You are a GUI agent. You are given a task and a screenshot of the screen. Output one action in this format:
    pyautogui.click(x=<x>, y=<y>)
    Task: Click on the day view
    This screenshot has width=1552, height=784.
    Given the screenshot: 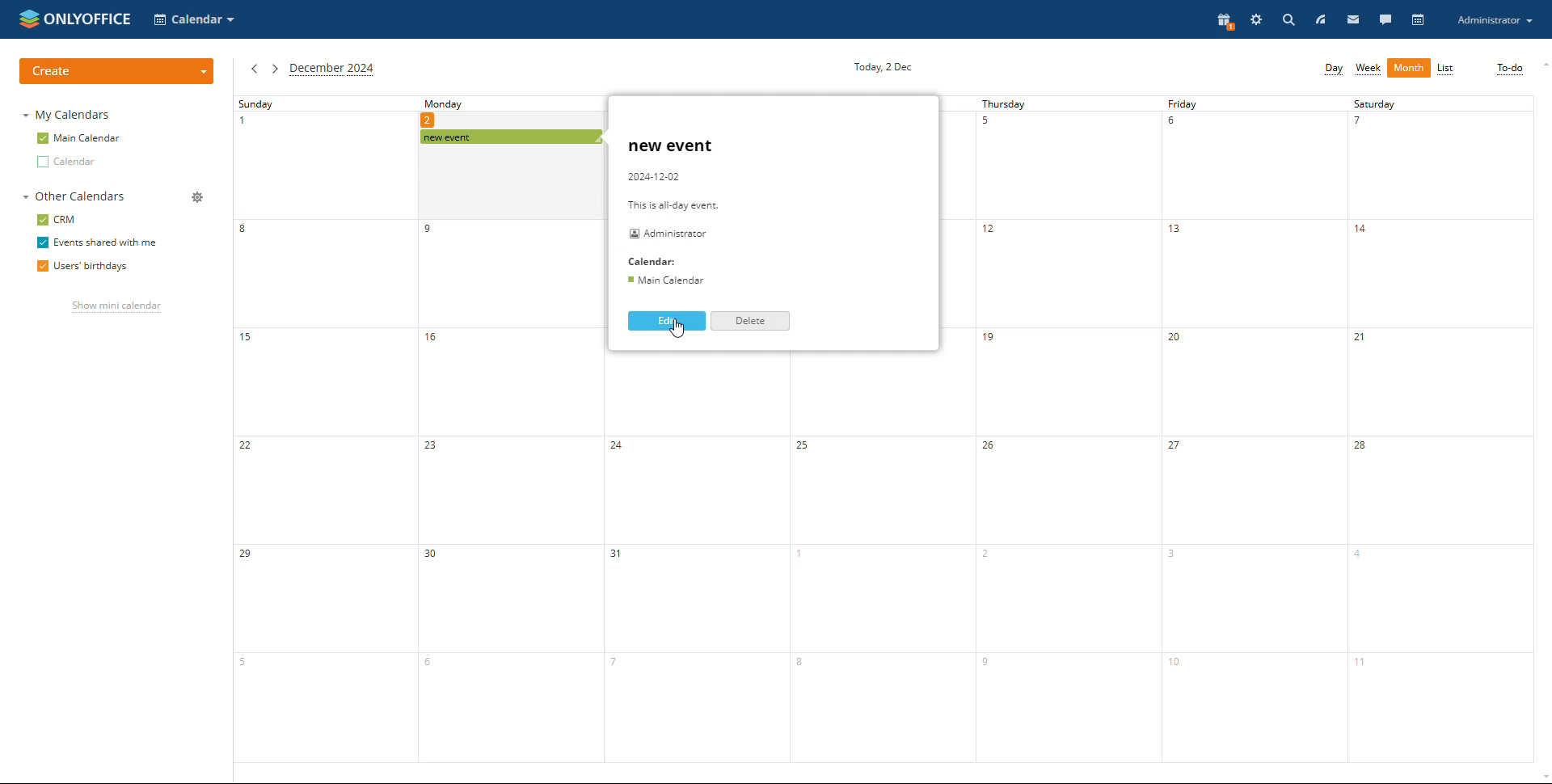 What is the action you would take?
    pyautogui.click(x=1335, y=69)
    